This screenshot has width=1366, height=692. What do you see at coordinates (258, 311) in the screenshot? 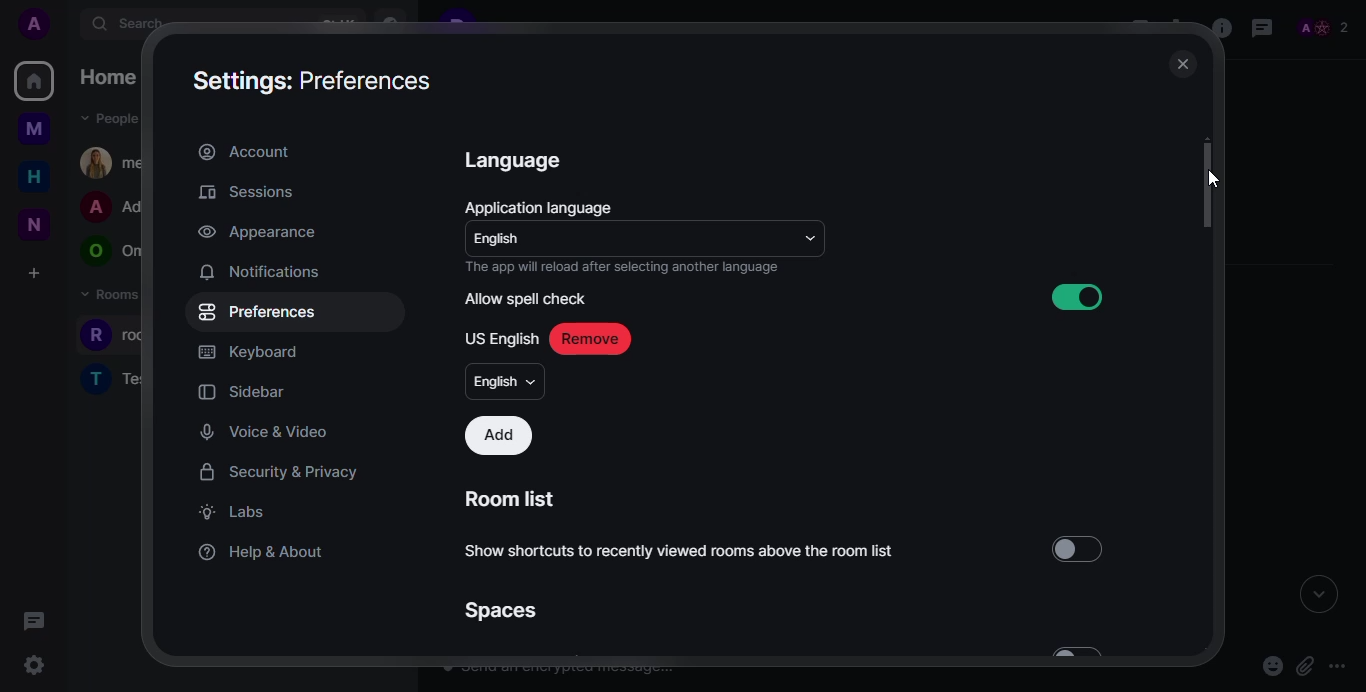
I see `preferences` at bounding box center [258, 311].